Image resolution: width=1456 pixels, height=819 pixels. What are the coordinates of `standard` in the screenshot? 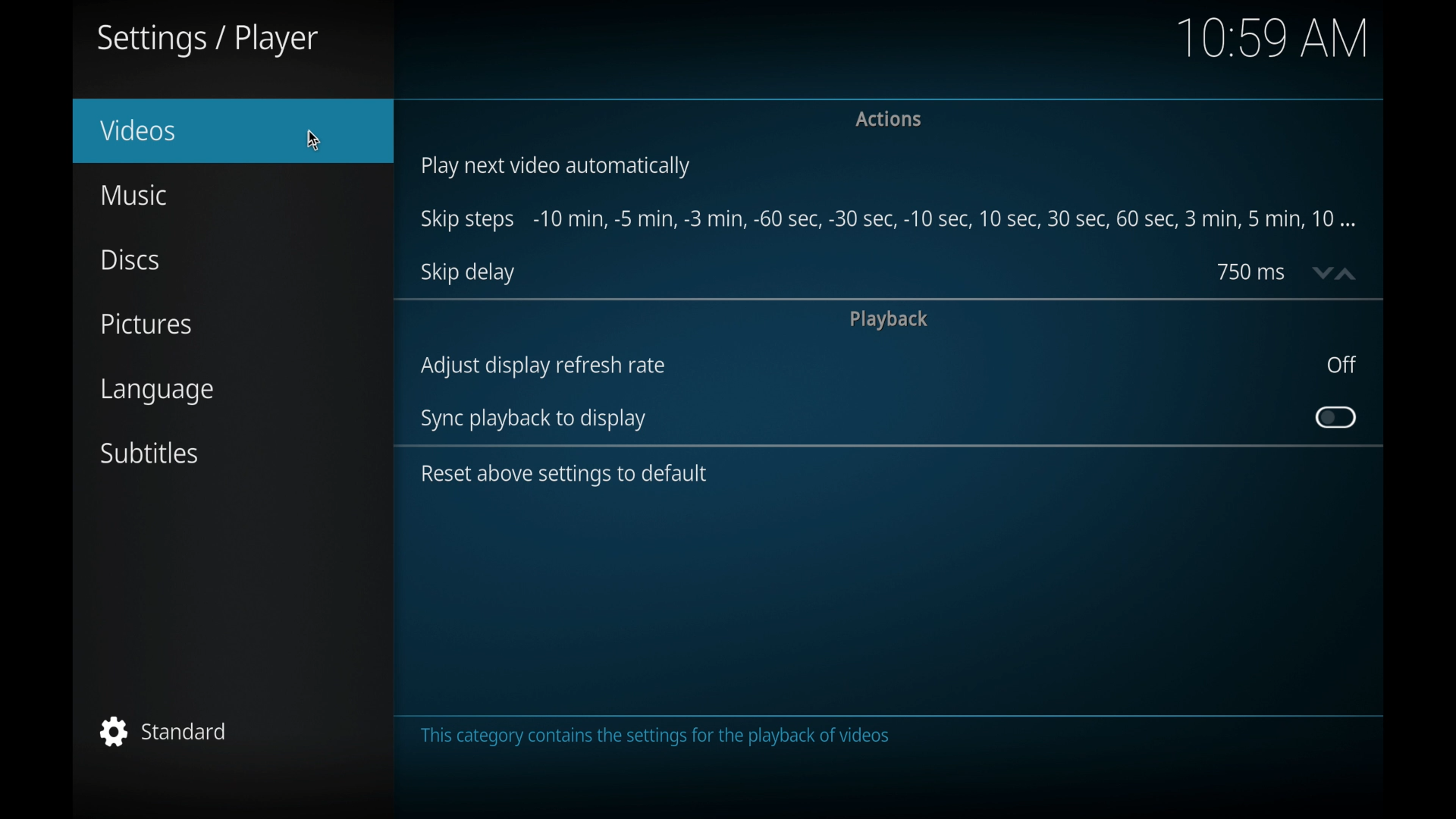 It's located at (162, 730).